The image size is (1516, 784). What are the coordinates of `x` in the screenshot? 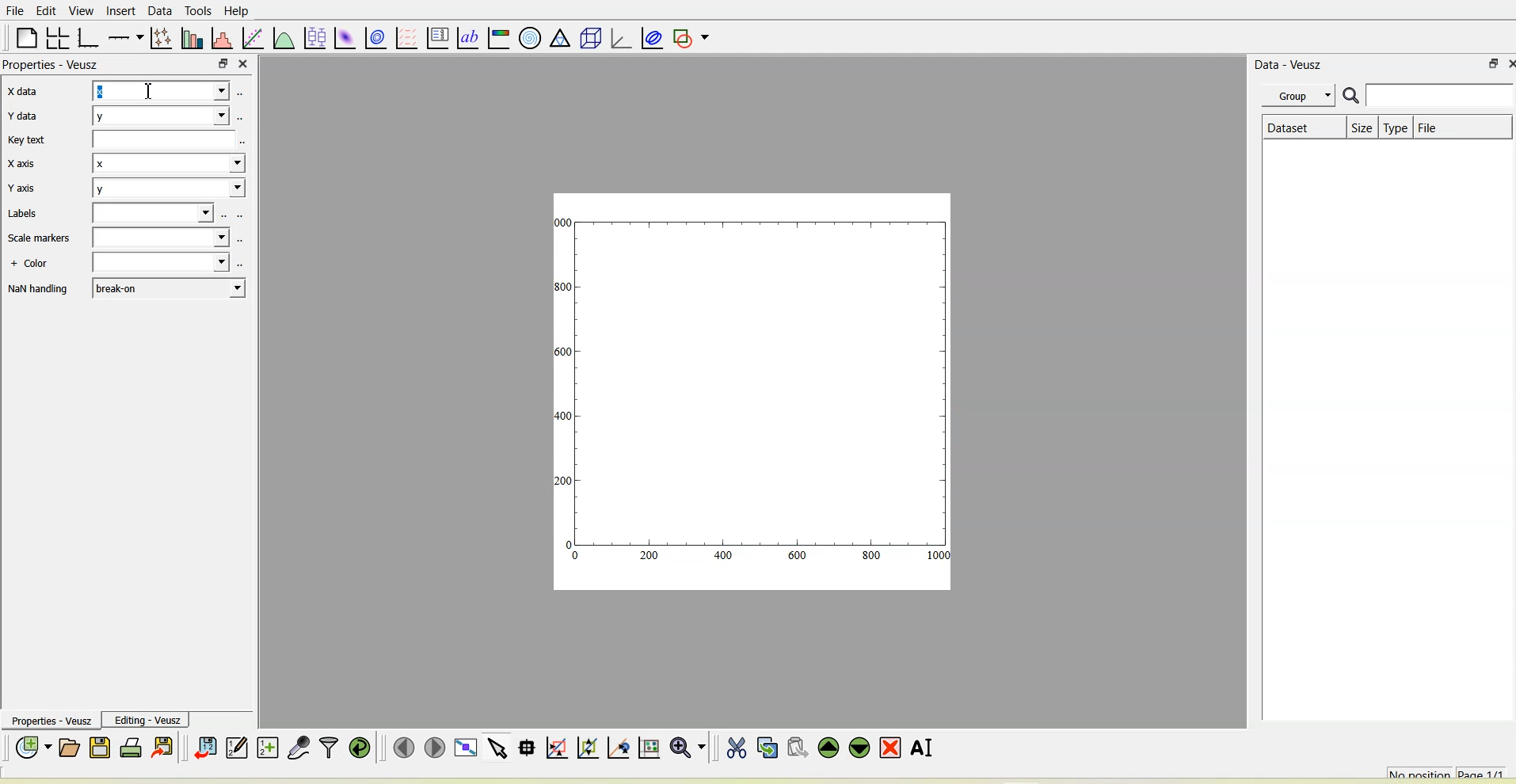 It's located at (160, 90).